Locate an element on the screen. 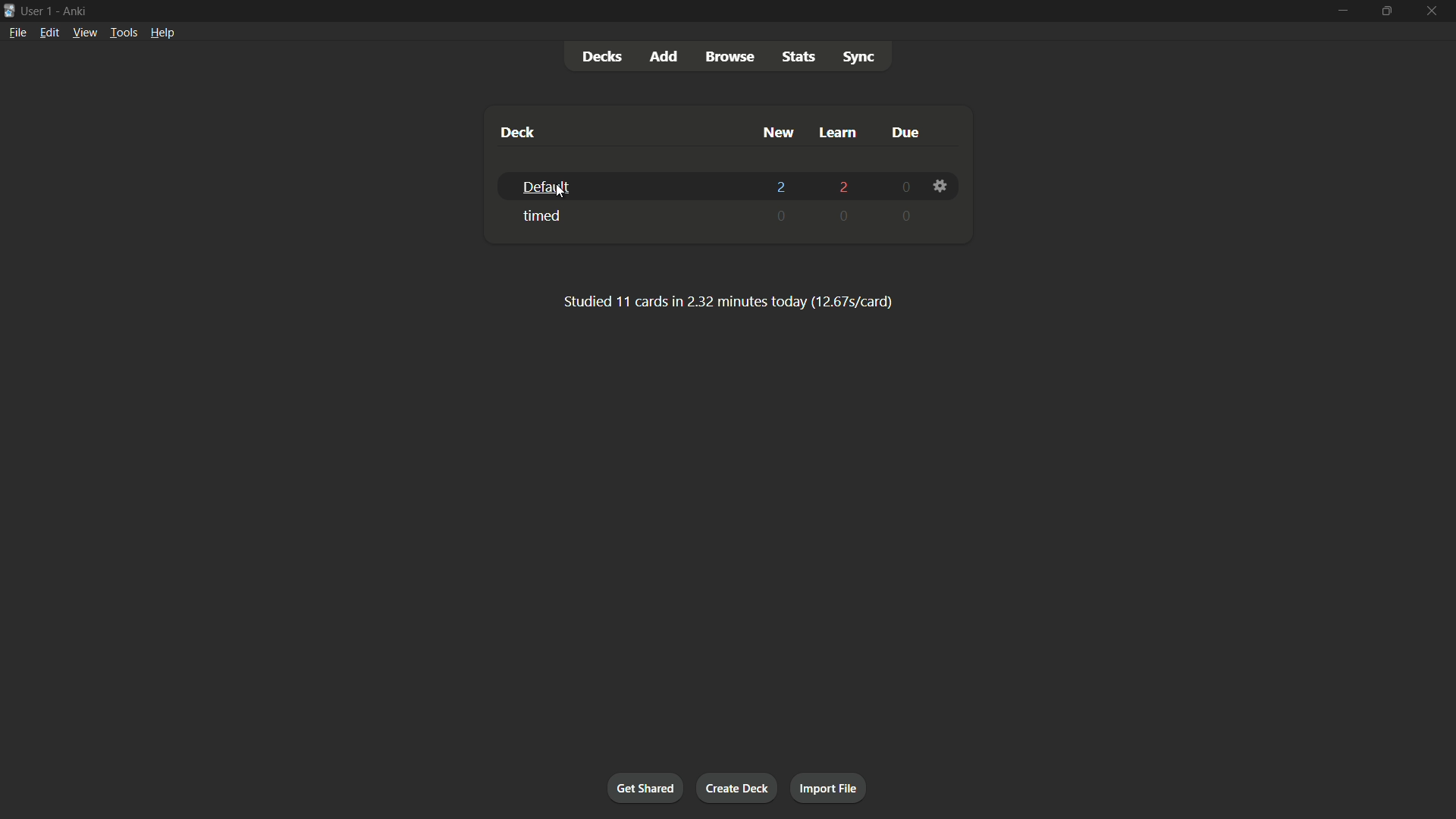 Image resolution: width=1456 pixels, height=819 pixels. 0 is located at coordinates (780, 215).